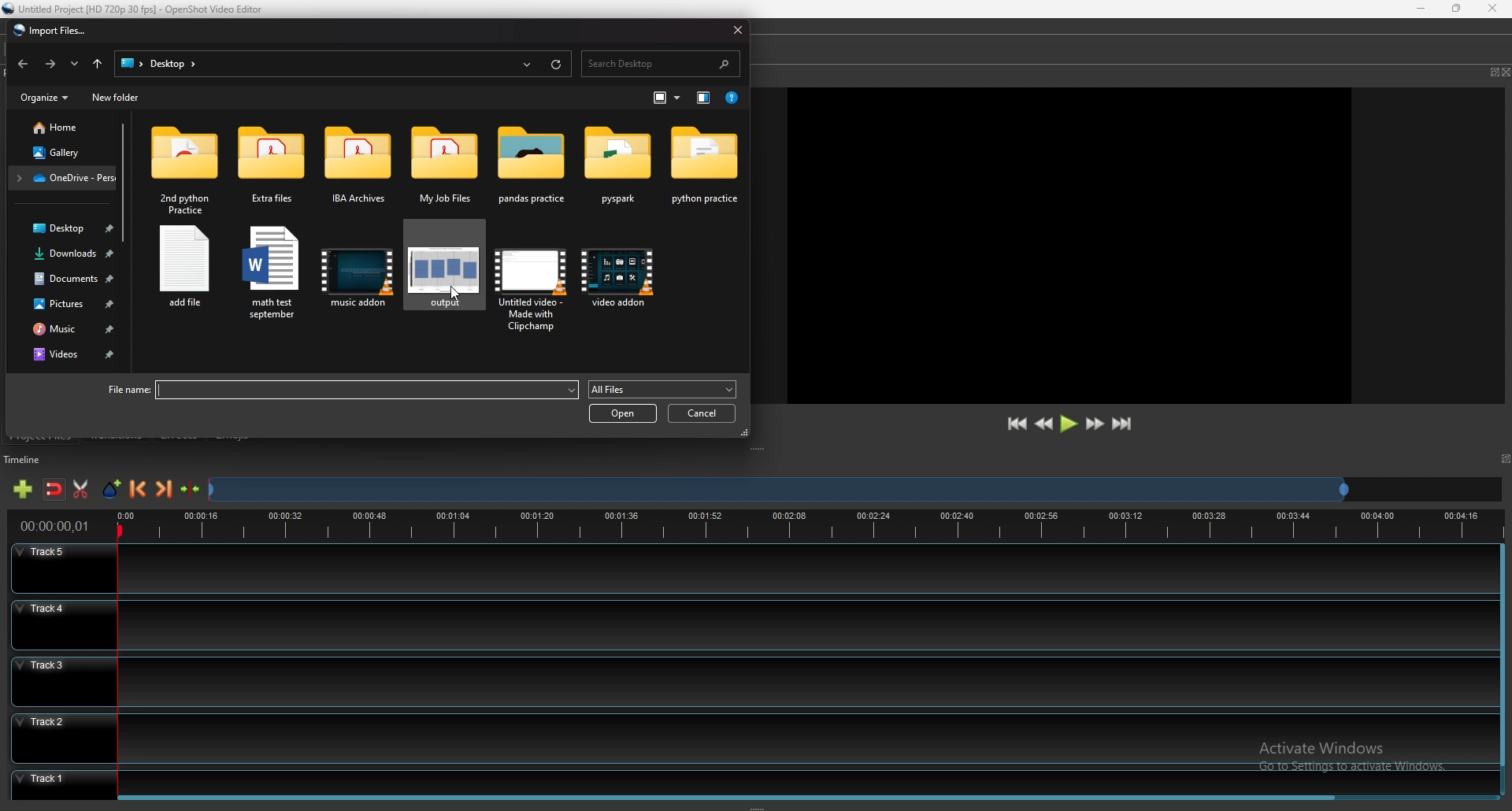 This screenshot has width=1512, height=811. What do you see at coordinates (705, 172) in the screenshot?
I see `folder` at bounding box center [705, 172].